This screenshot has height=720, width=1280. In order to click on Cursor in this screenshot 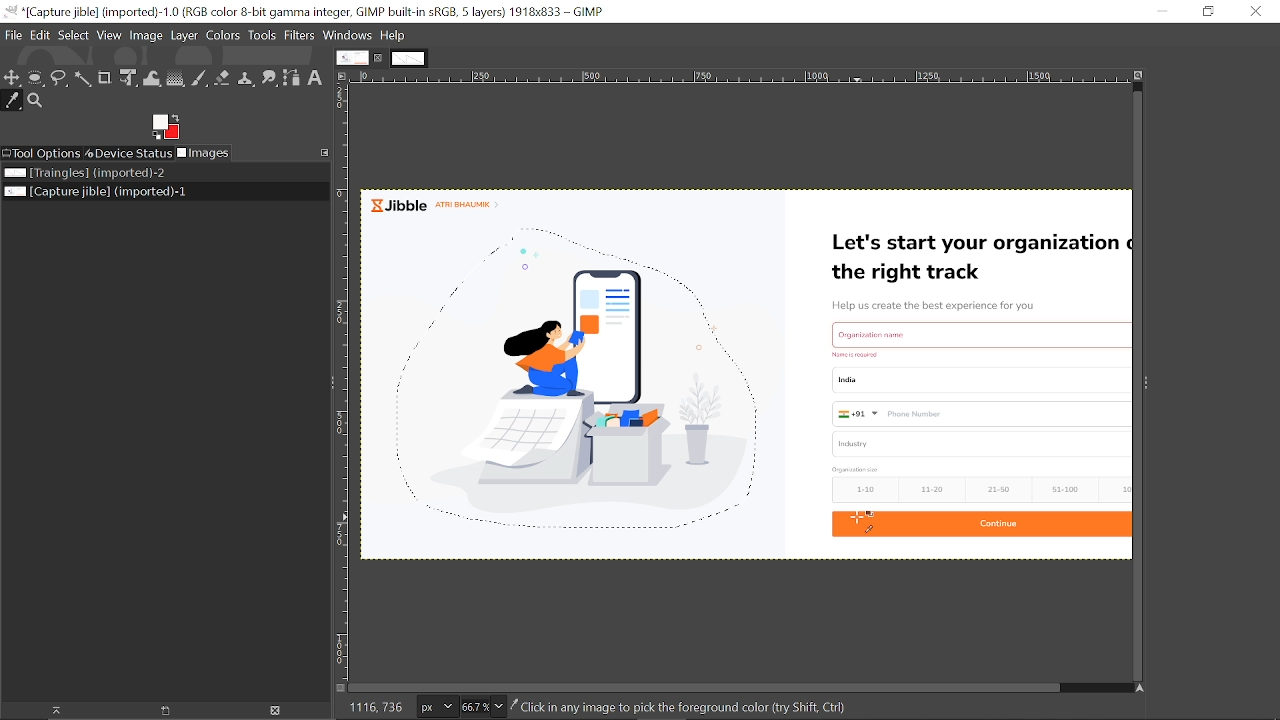, I will do `click(864, 522)`.